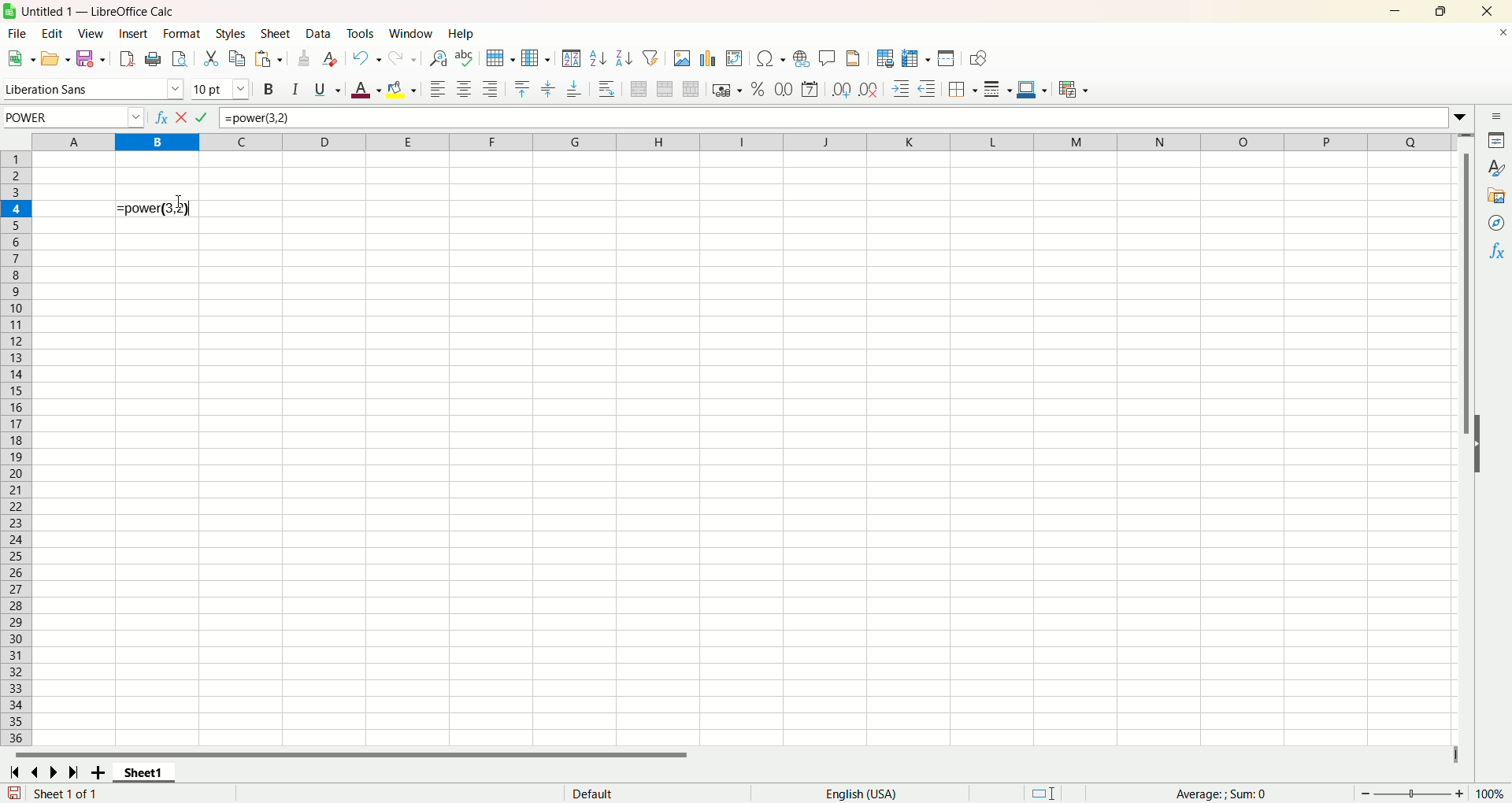  I want to click on previous sheet, so click(38, 772).